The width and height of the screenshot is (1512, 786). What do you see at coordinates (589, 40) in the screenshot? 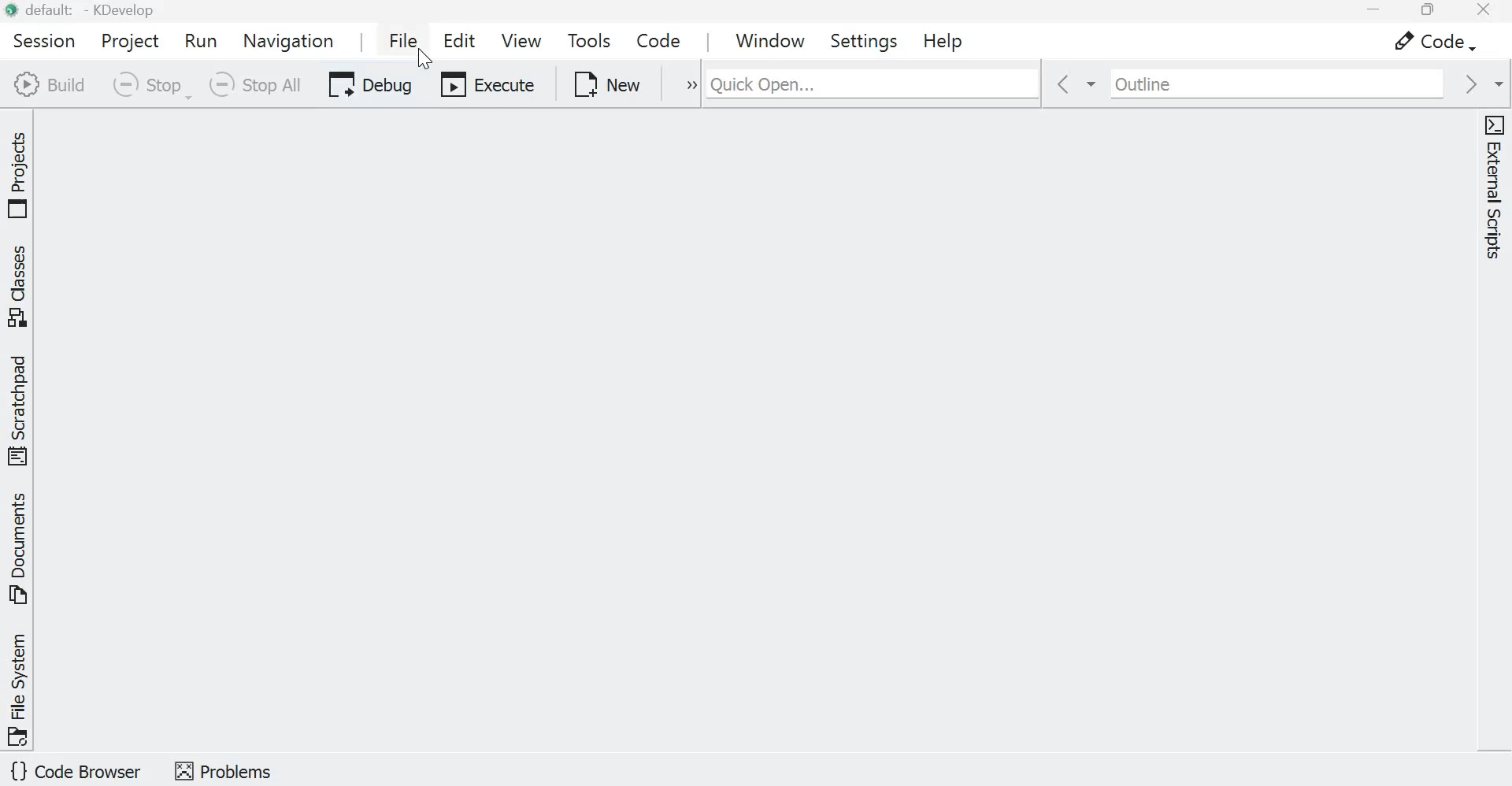
I see `Tools` at bounding box center [589, 40].